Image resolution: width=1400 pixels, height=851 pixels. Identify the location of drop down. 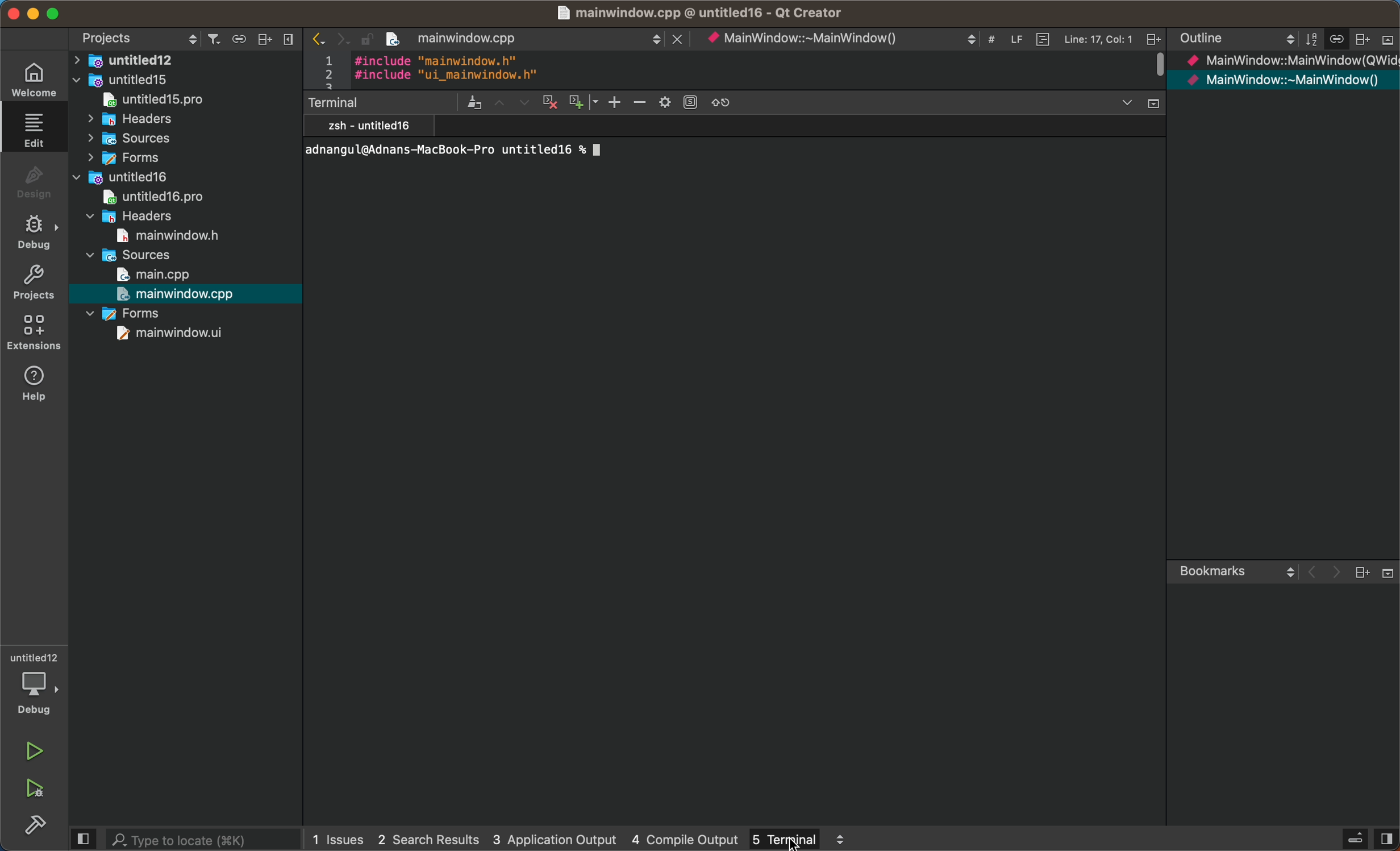
(1138, 105).